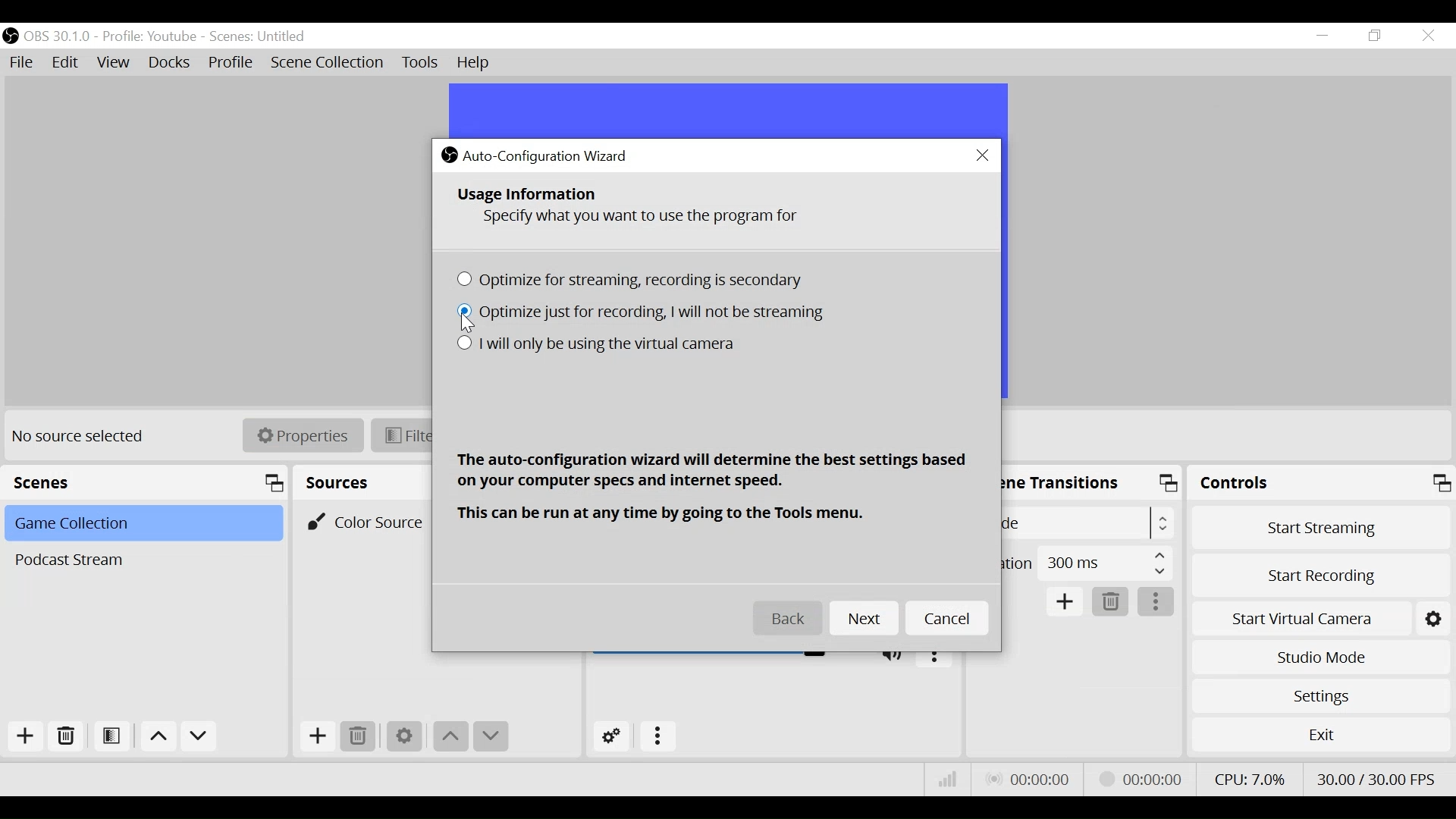 The height and width of the screenshot is (819, 1456). I want to click on Cursor, so click(470, 324).